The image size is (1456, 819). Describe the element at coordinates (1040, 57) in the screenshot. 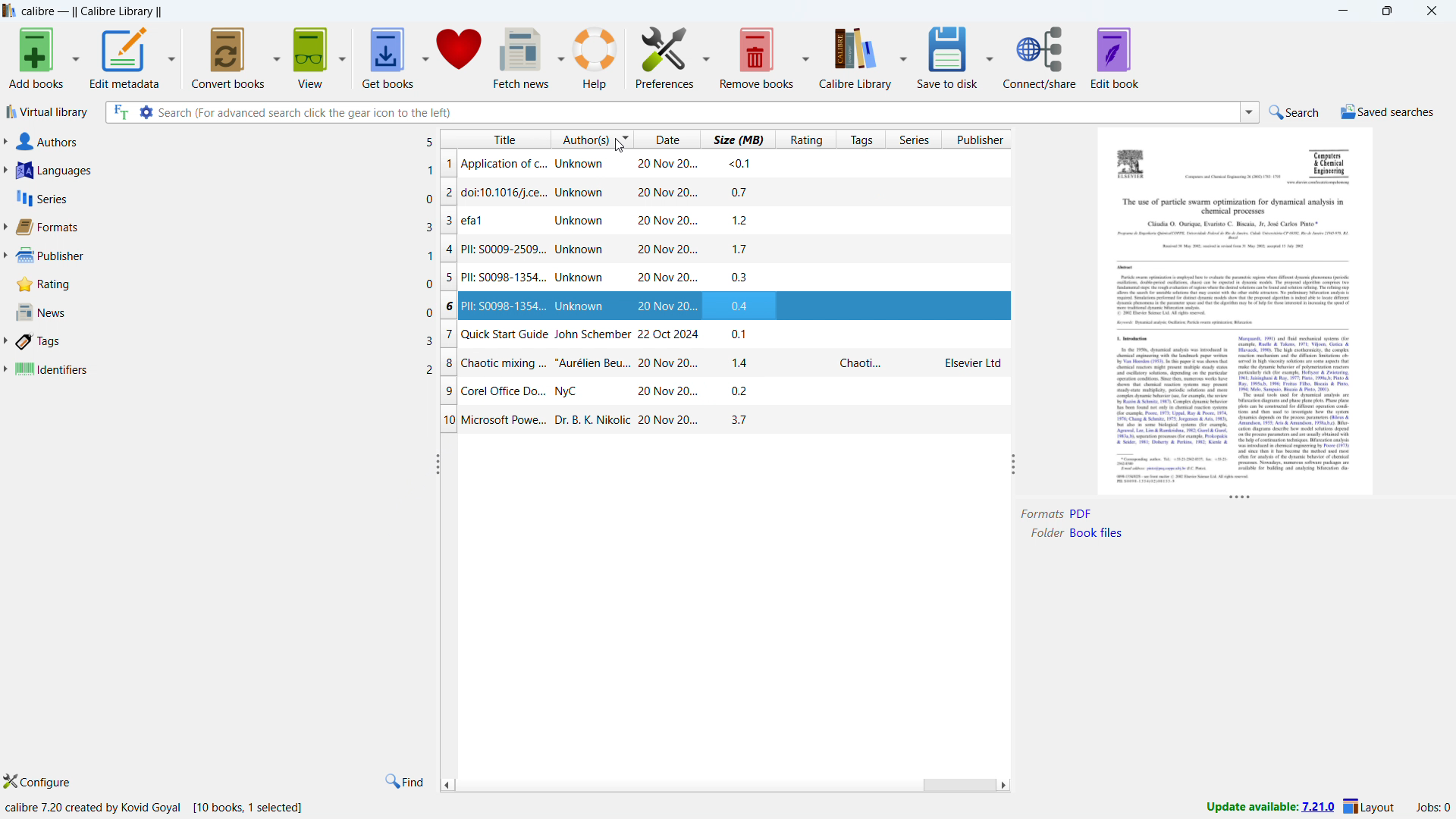

I see `connect/share` at that location.